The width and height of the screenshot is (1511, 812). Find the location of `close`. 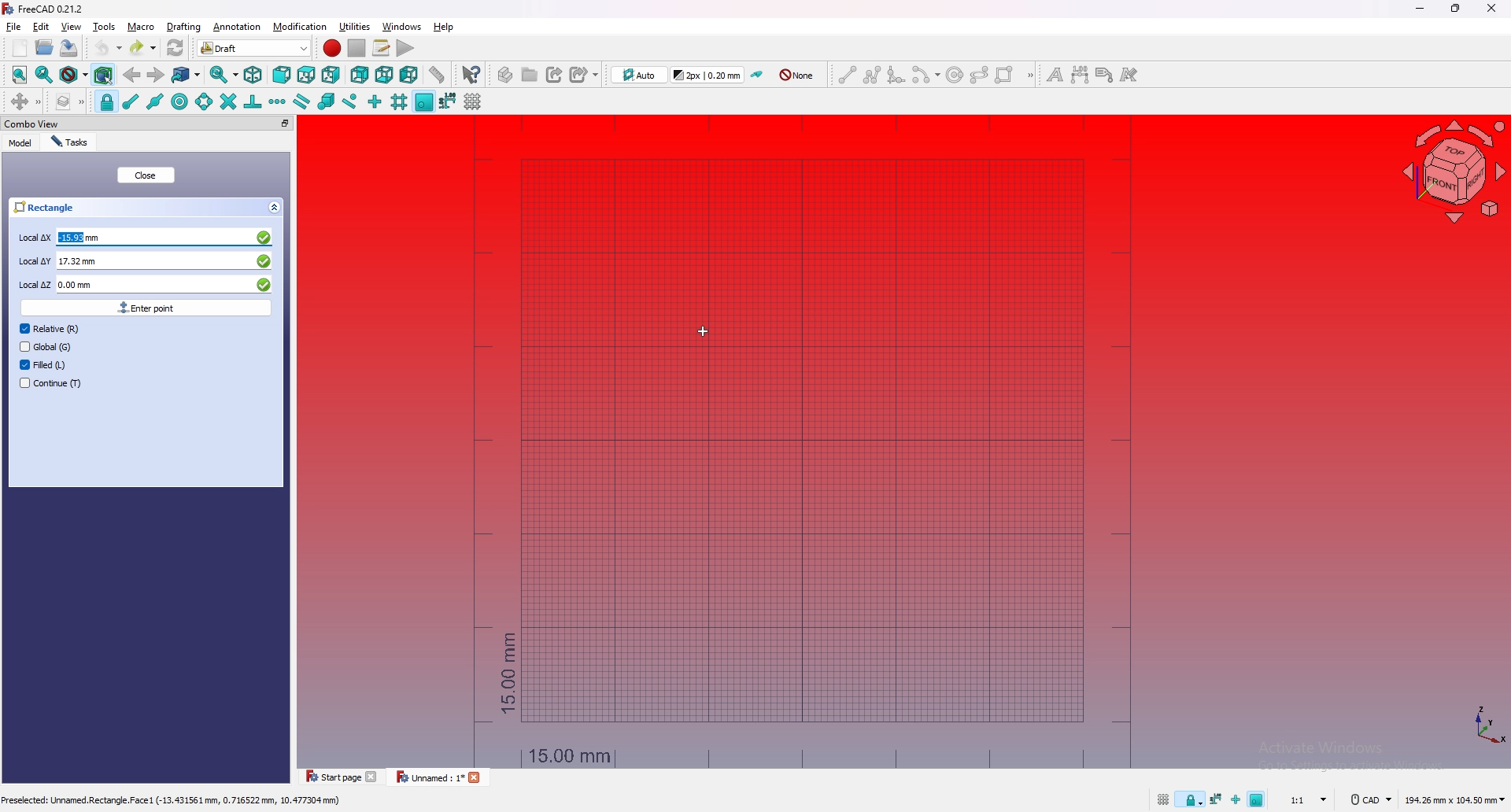

close is located at coordinates (146, 175).